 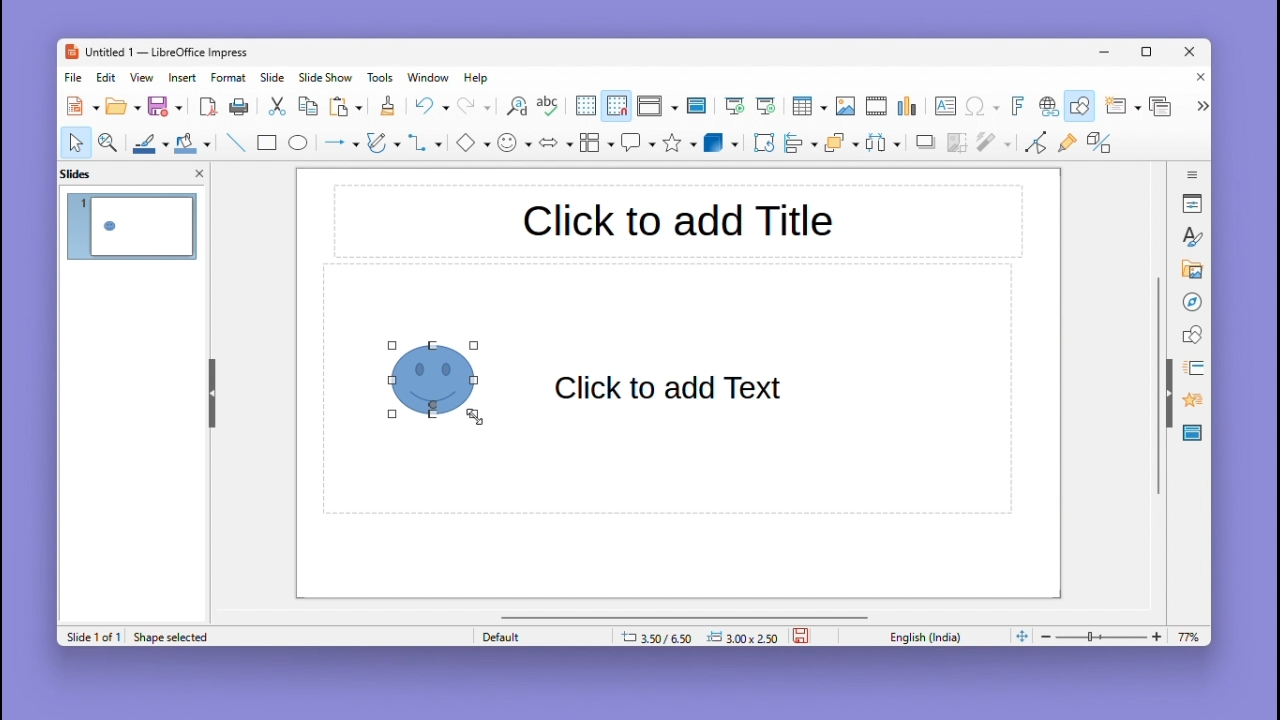 I want to click on Brush, so click(x=145, y=140).